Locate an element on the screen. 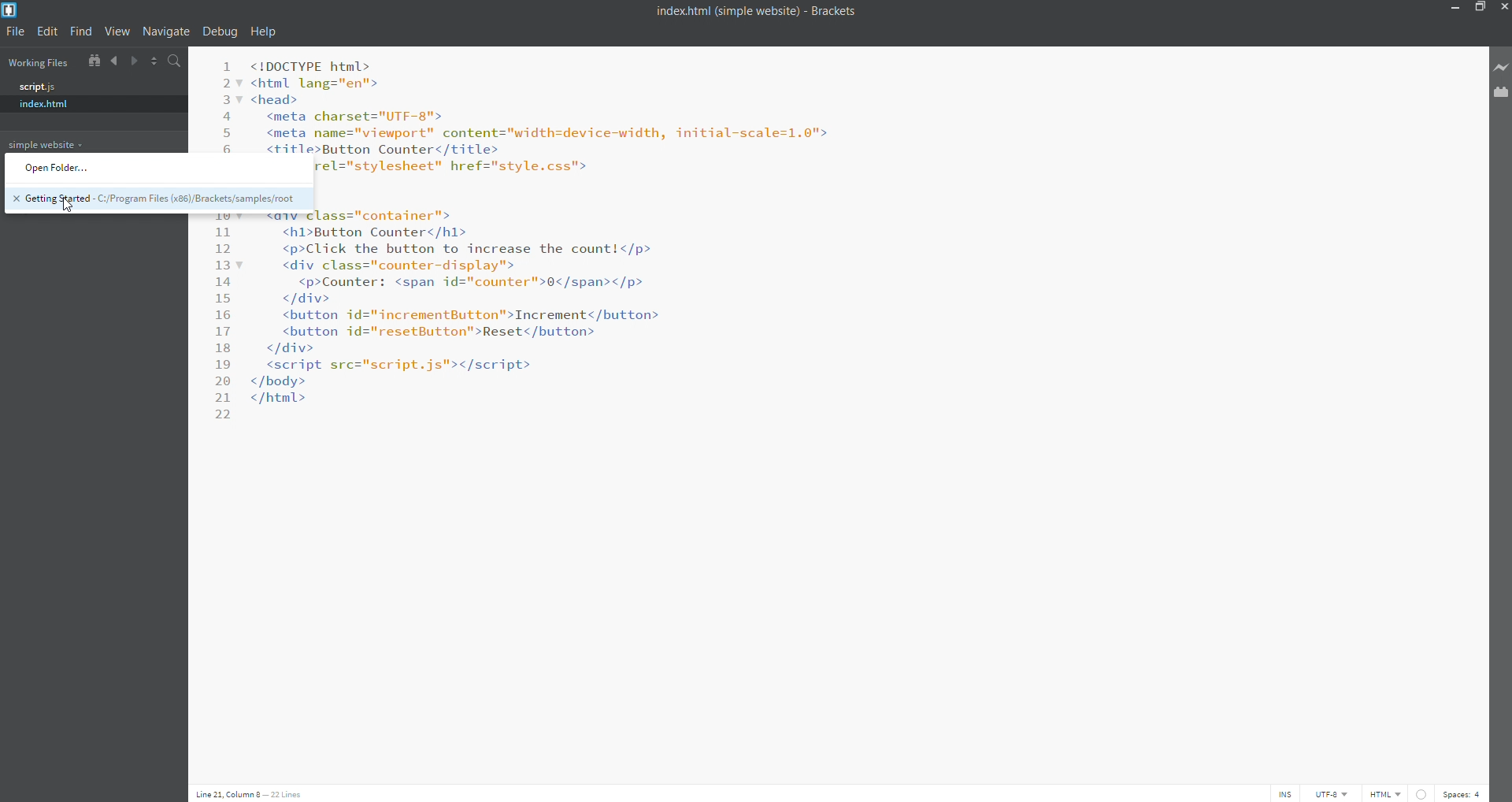 The image size is (1512, 802). navigate is located at coordinates (168, 31).